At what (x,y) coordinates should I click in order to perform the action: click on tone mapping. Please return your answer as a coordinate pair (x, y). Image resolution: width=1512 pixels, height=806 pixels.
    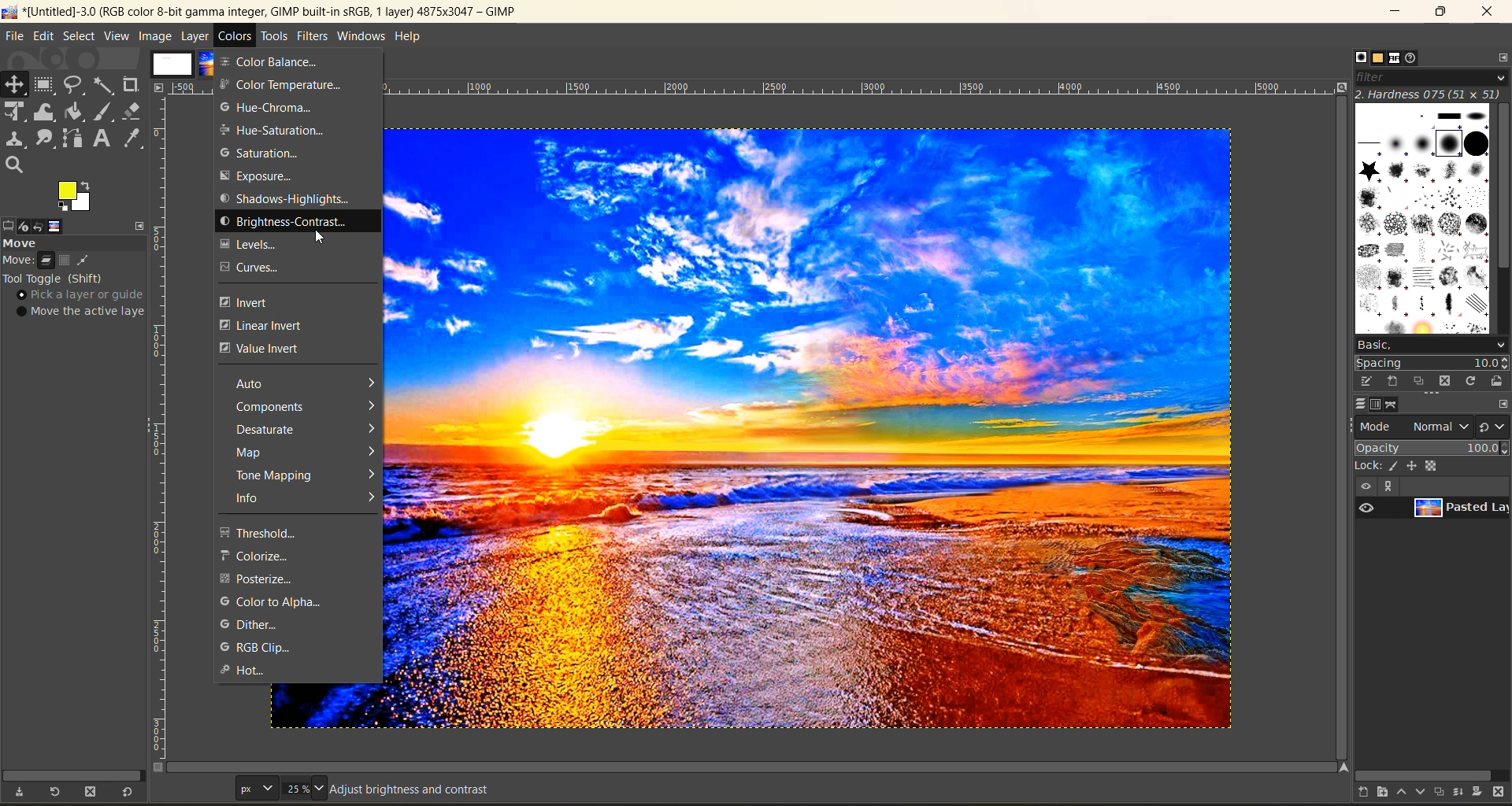
    Looking at the image, I should click on (308, 475).